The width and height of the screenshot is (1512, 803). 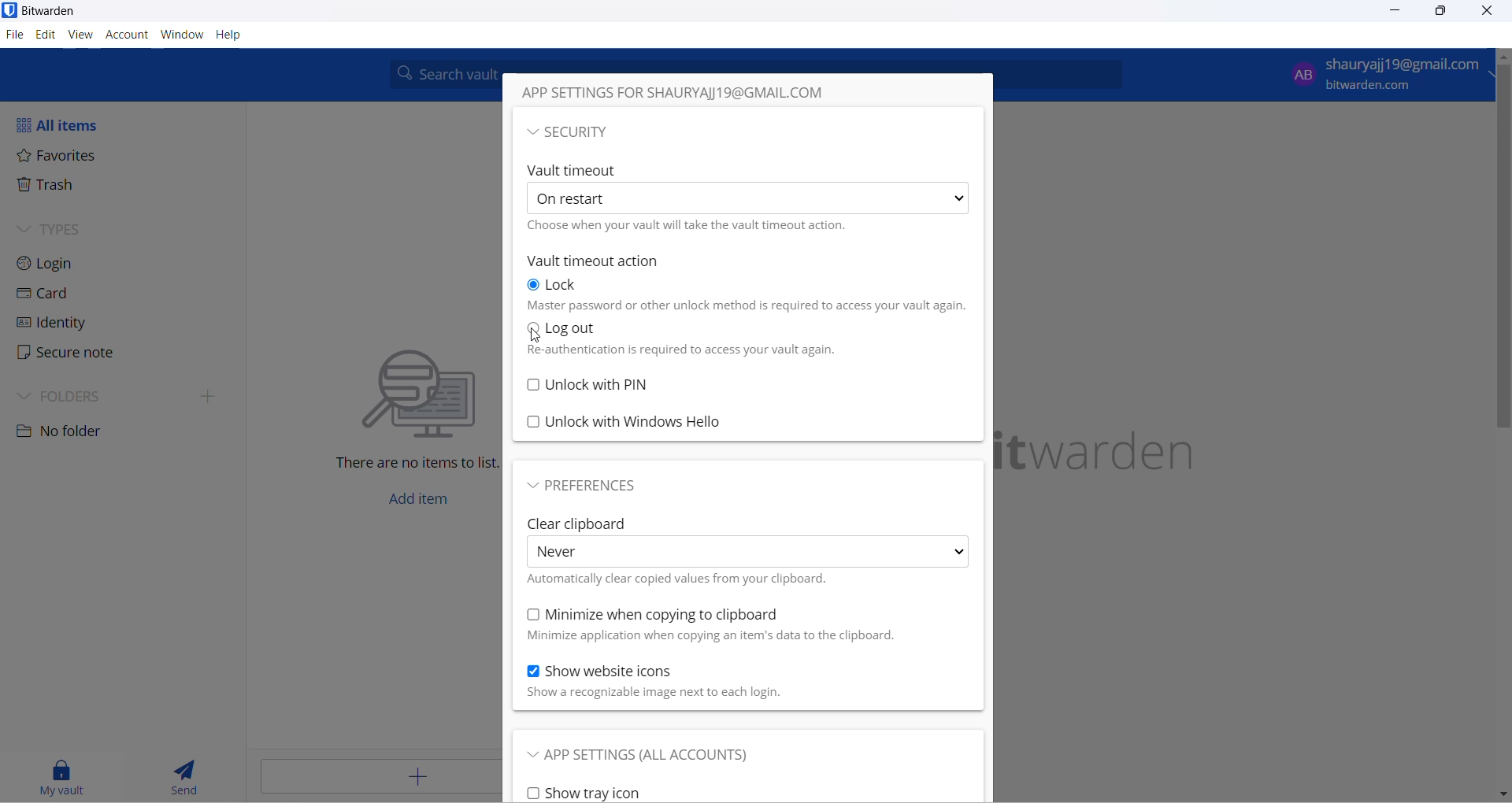 I want to click on account, so click(x=127, y=35).